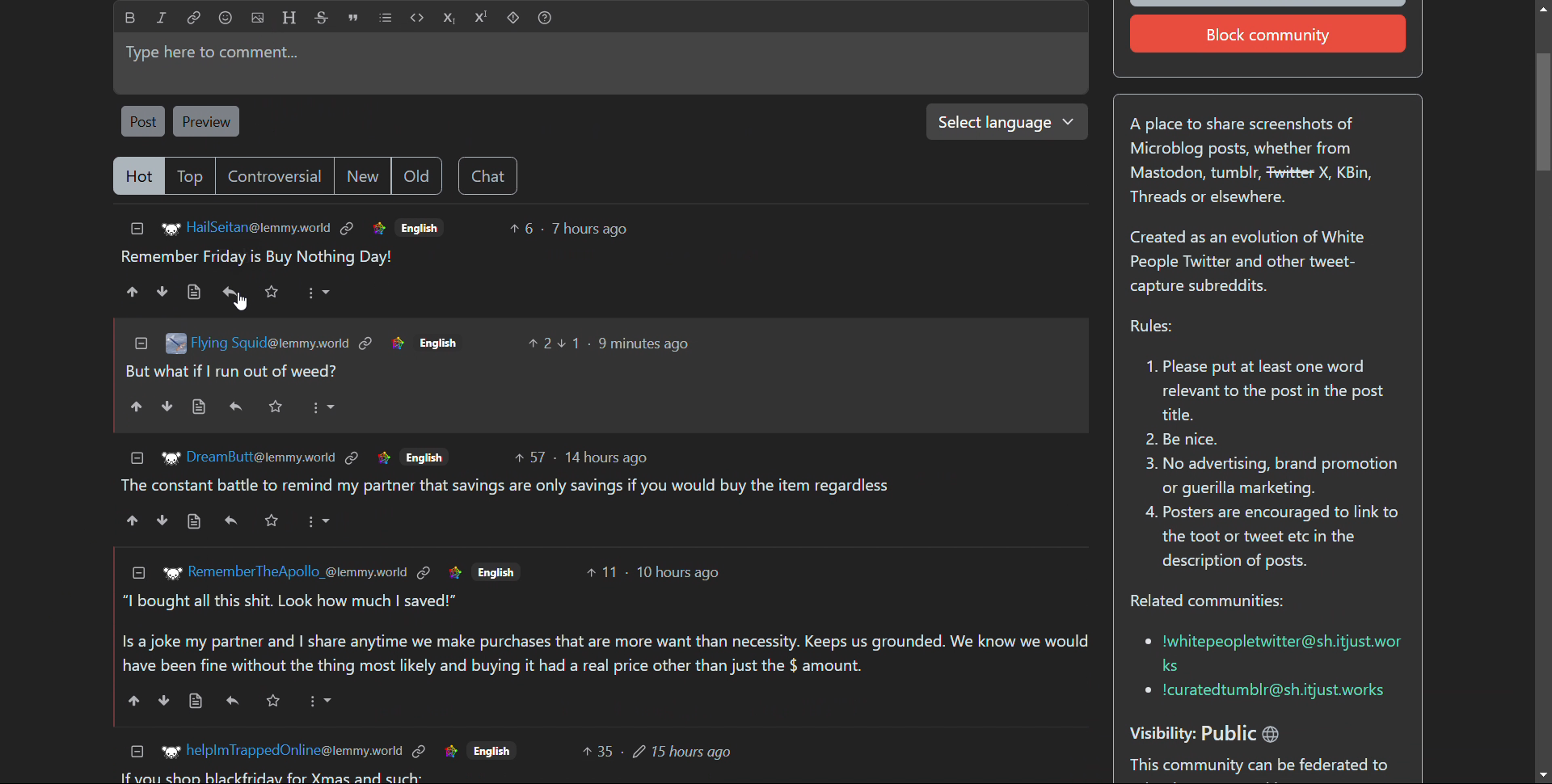 The image size is (1552, 784). Describe the element at coordinates (682, 750) in the screenshot. I see `time of posting` at that location.